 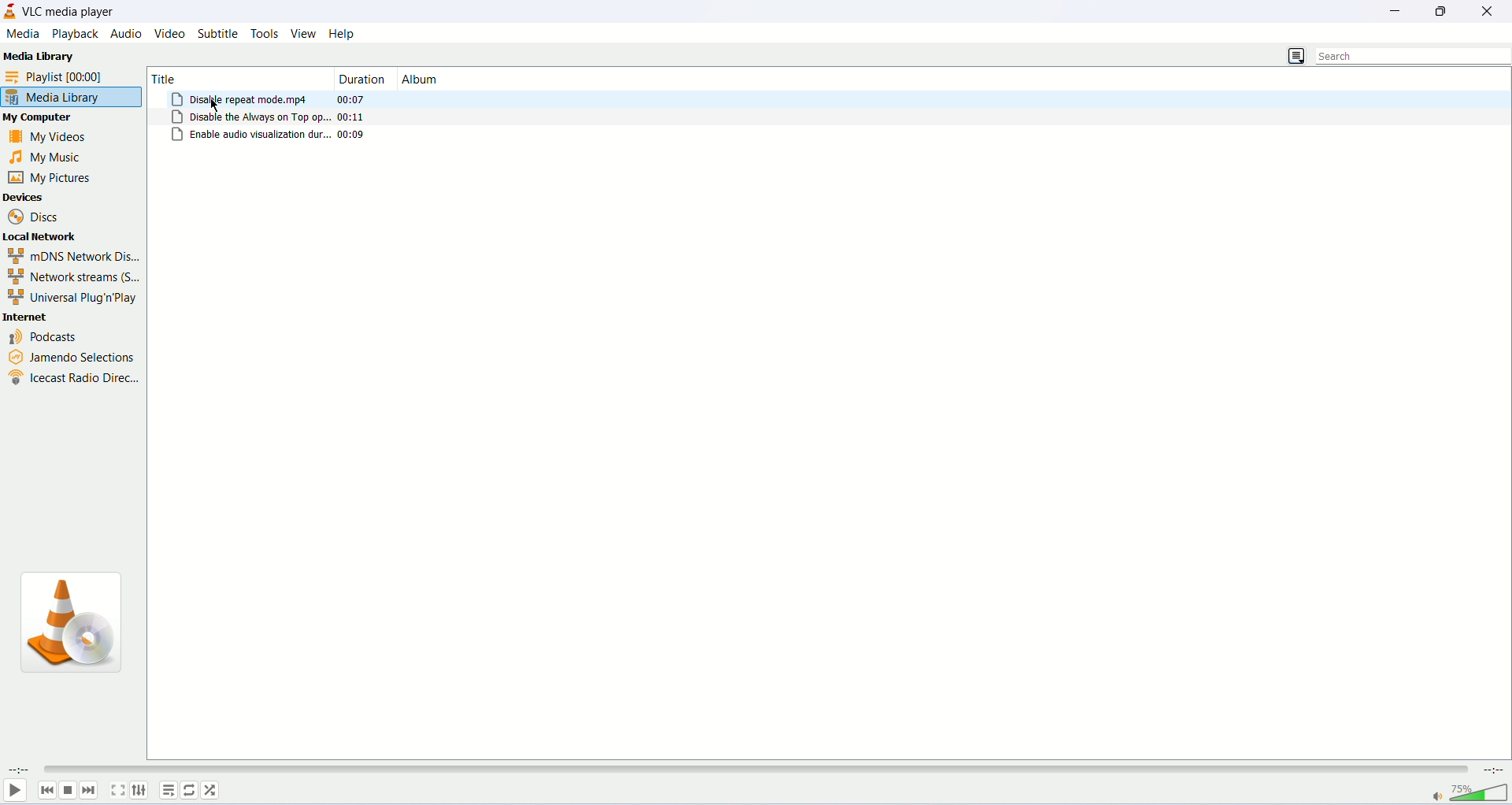 I want to click on media library, so click(x=72, y=98).